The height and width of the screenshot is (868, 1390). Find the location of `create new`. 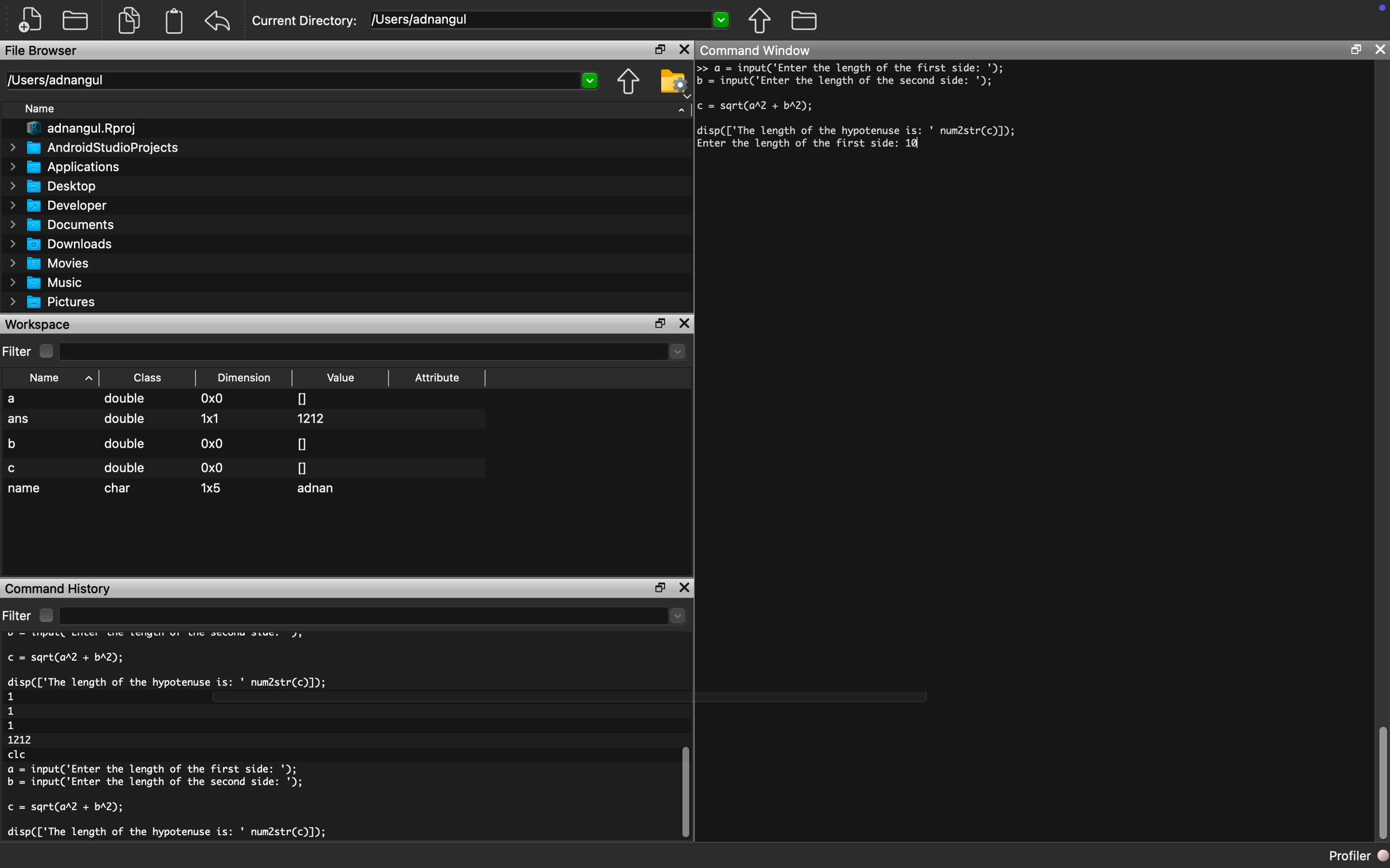

create new is located at coordinates (34, 20).